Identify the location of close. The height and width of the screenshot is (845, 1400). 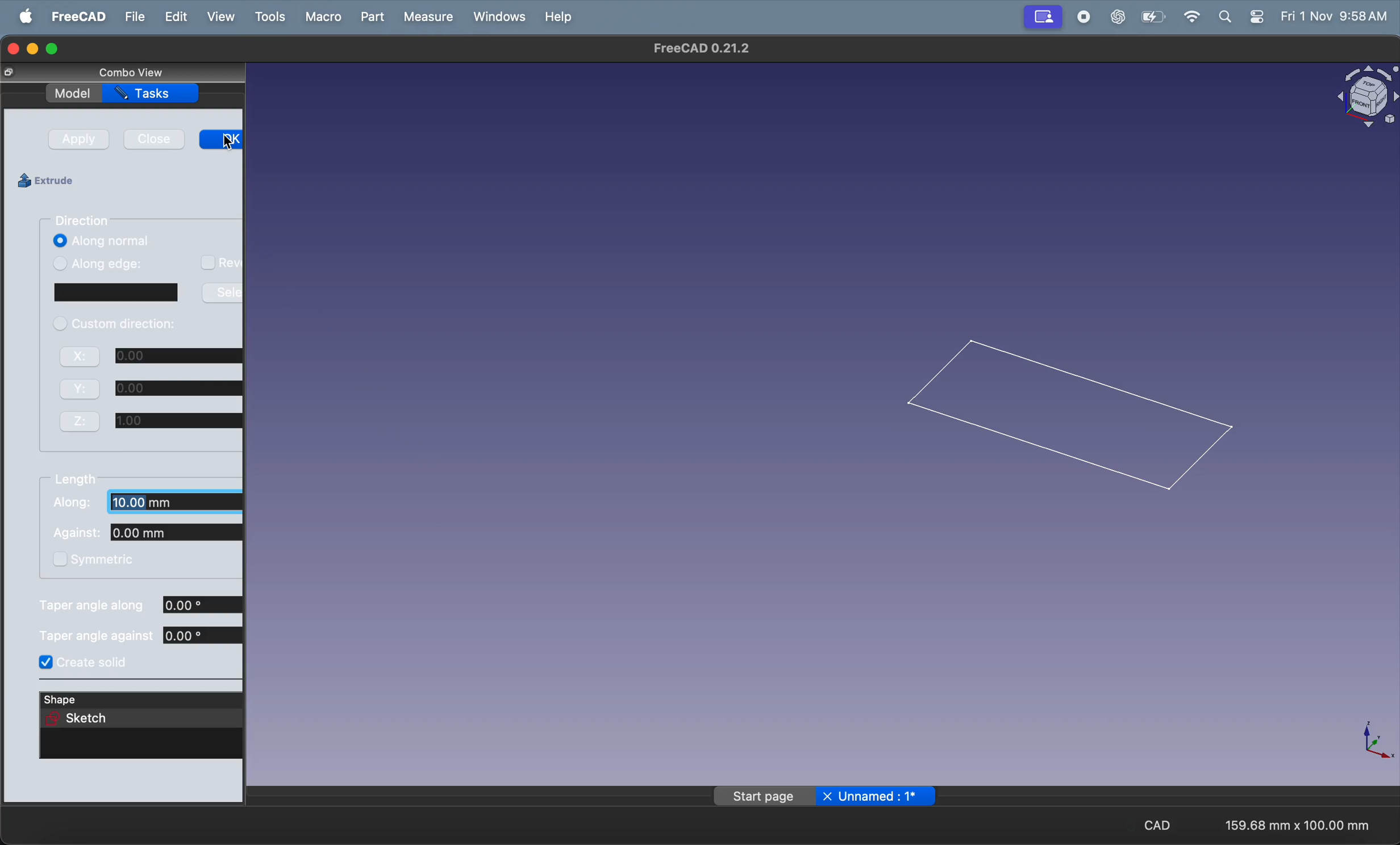
(155, 141).